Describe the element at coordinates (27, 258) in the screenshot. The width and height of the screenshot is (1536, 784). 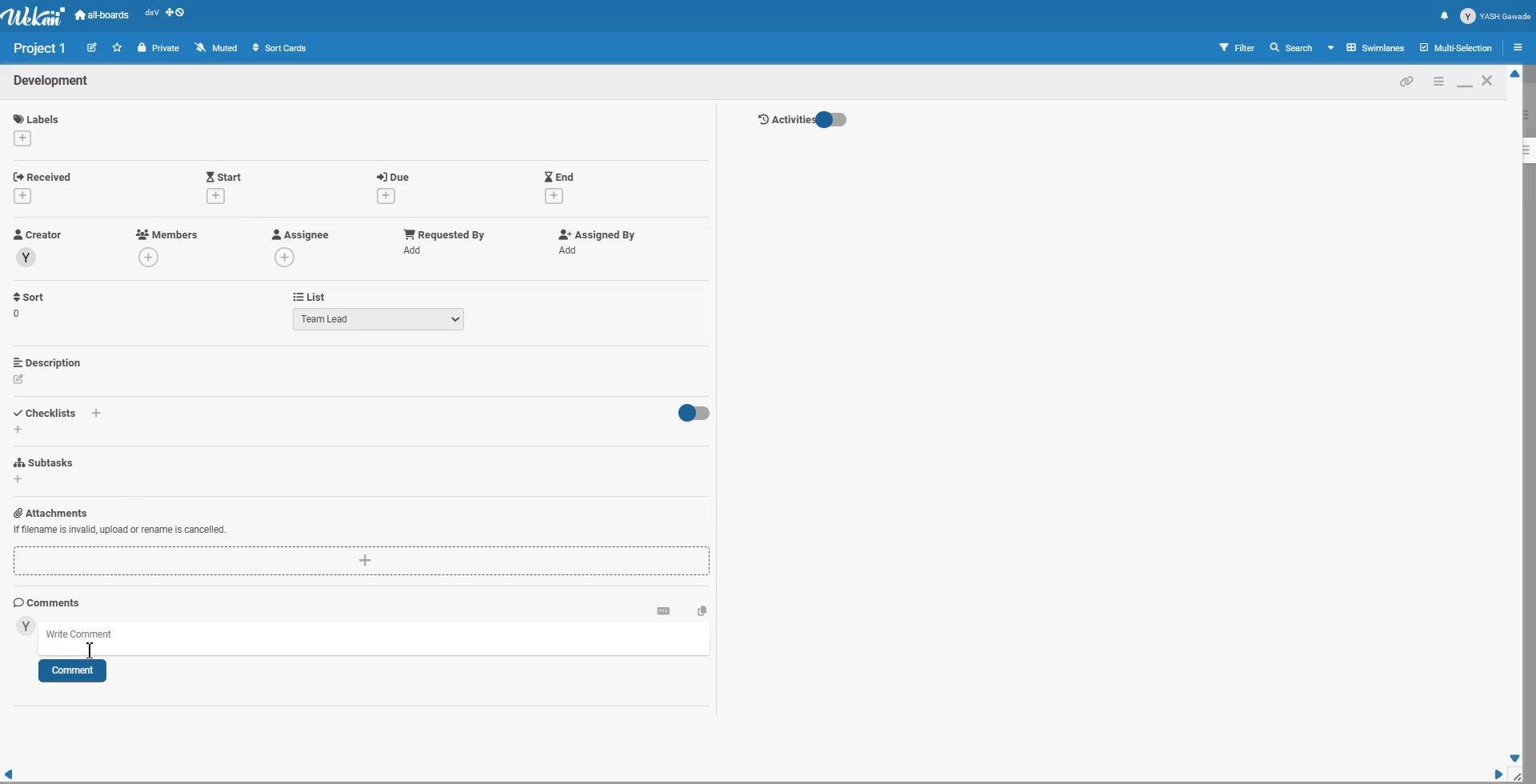
I see `avatar` at that location.